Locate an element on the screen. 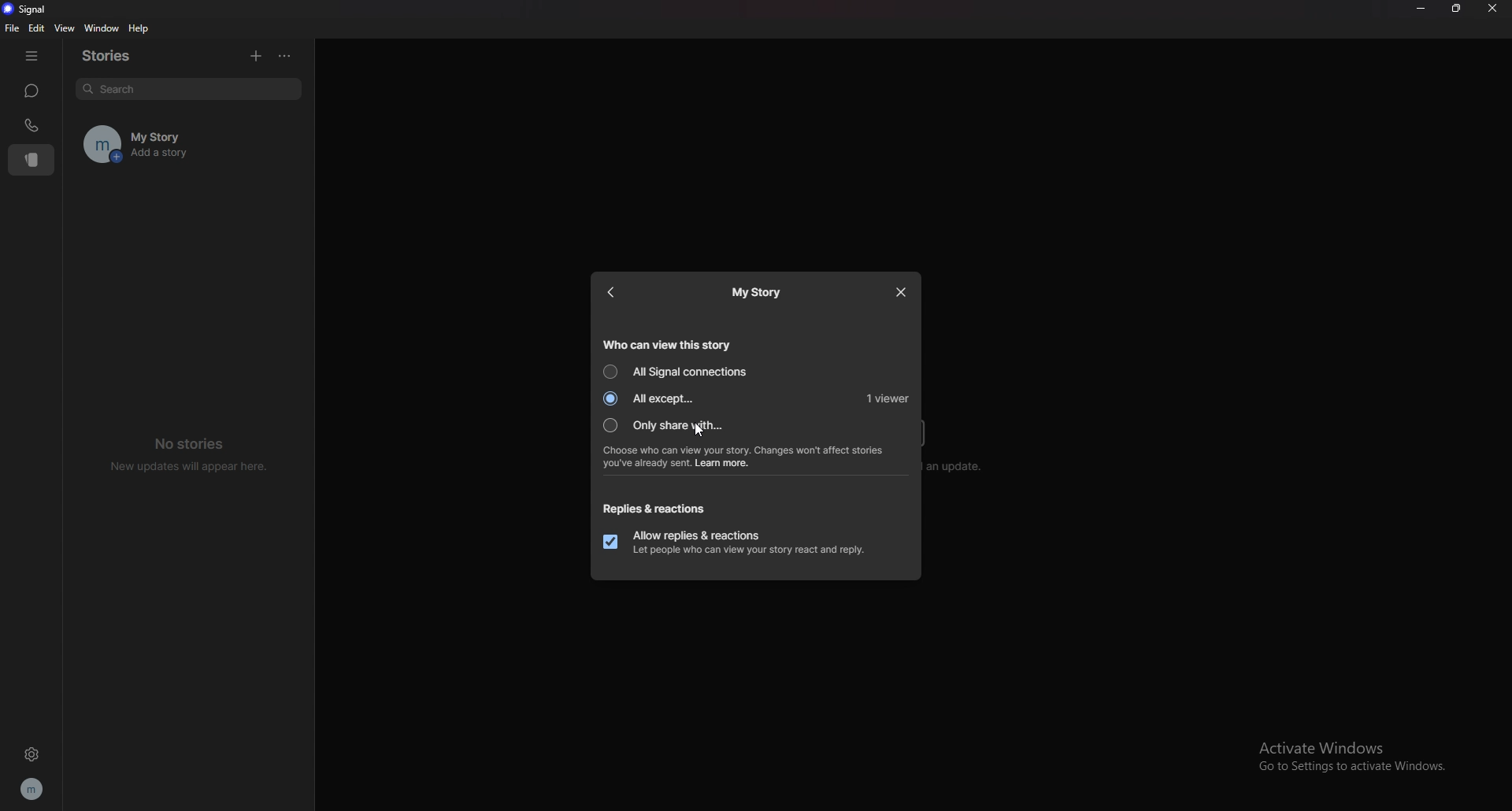  no stories new updates will appear here is located at coordinates (186, 455).